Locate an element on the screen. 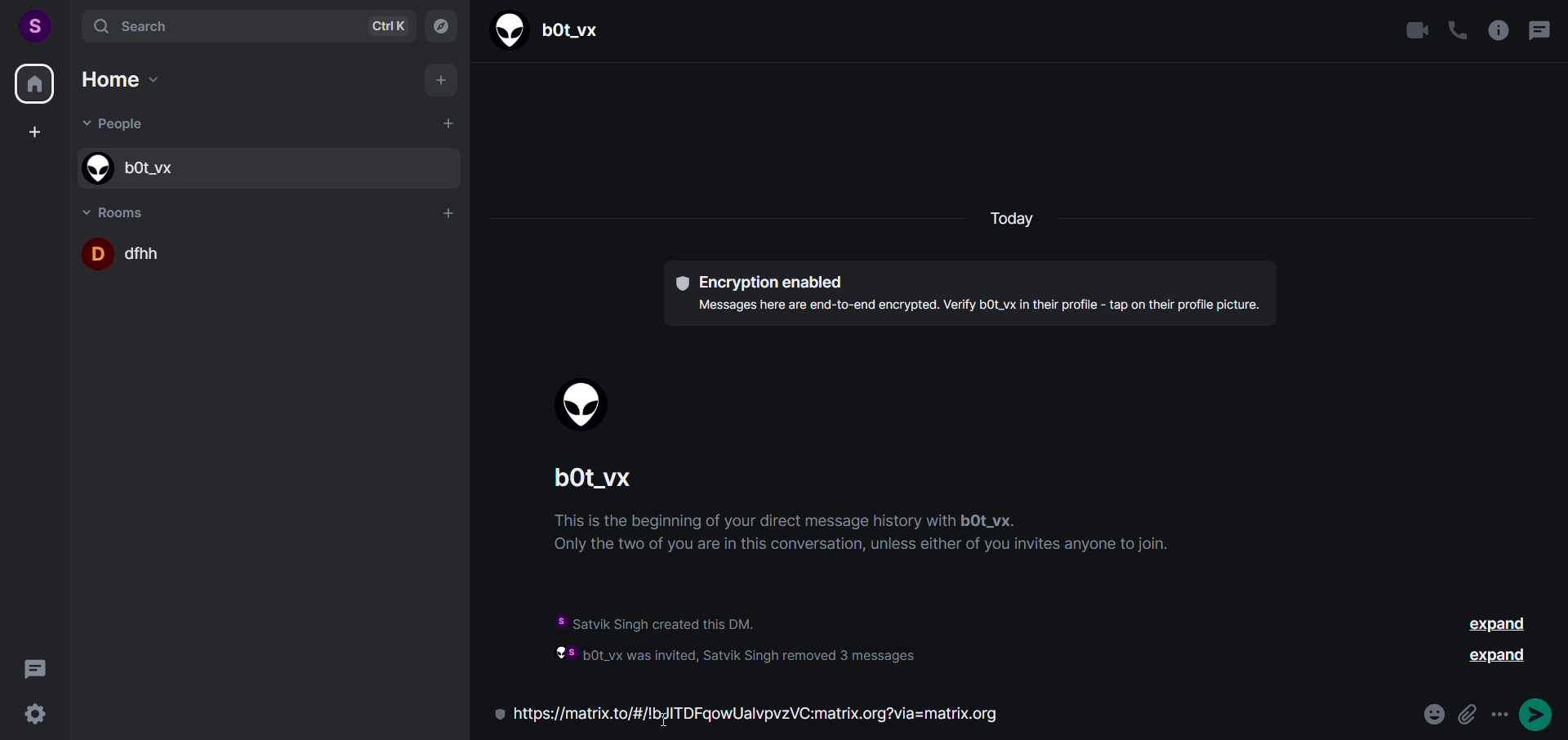 The image size is (1568, 740). home options is located at coordinates (134, 83).